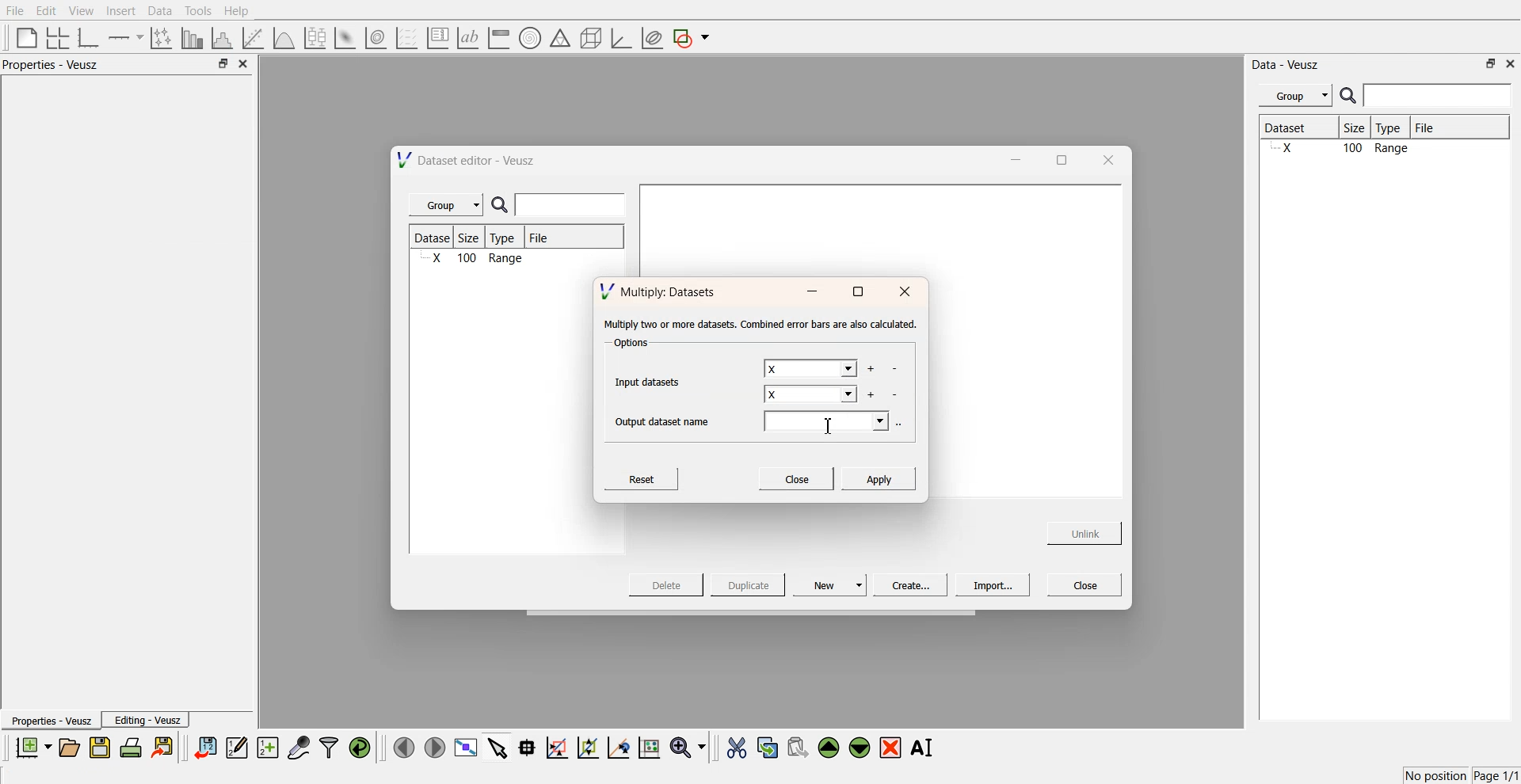  What do you see at coordinates (1497, 776) in the screenshot?
I see `Page 1/1` at bounding box center [1497, 776].